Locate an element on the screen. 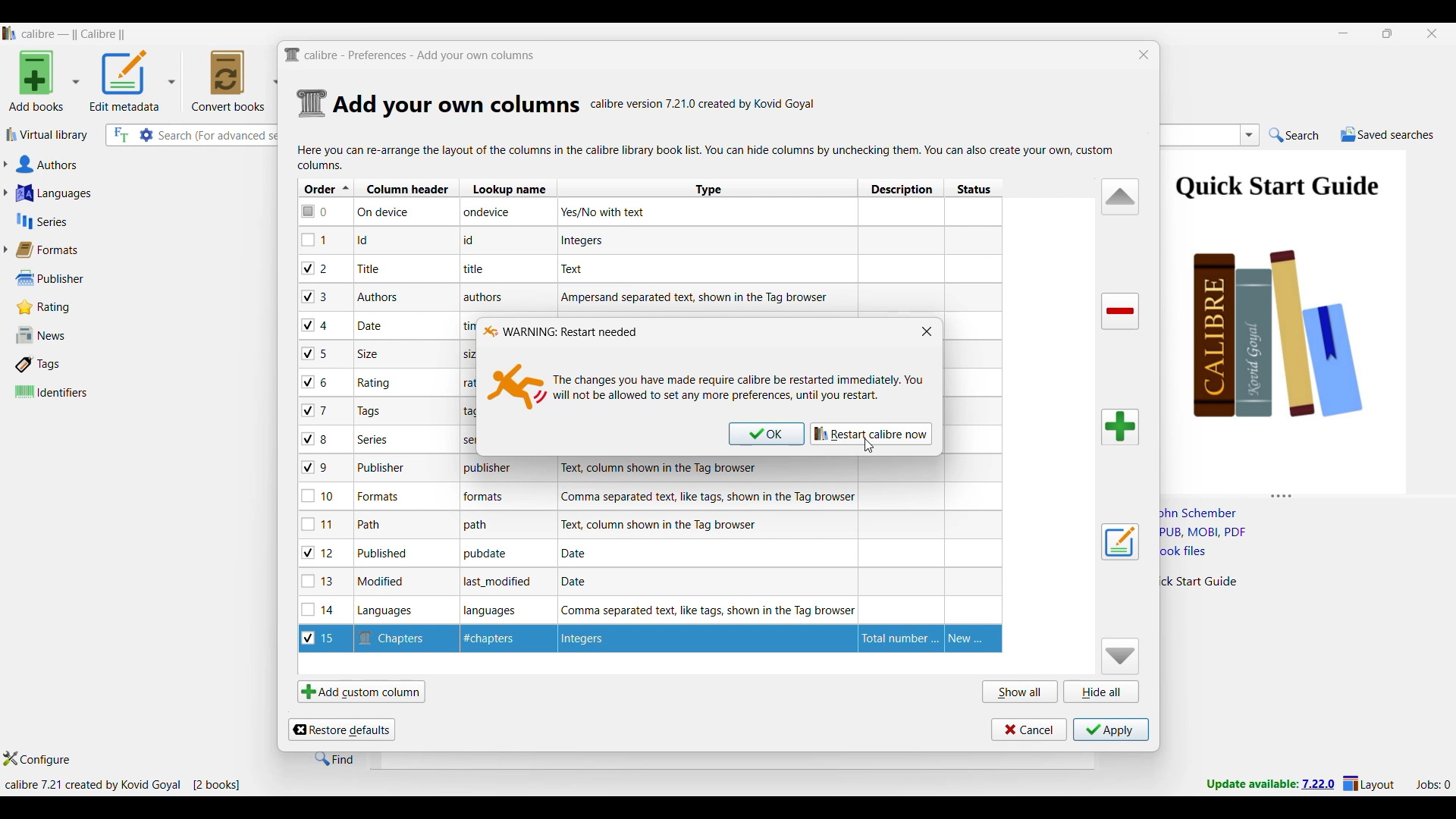 This screenshot has width=1456, height=819. Title and logo of current window is located at coordinates (410, 55).